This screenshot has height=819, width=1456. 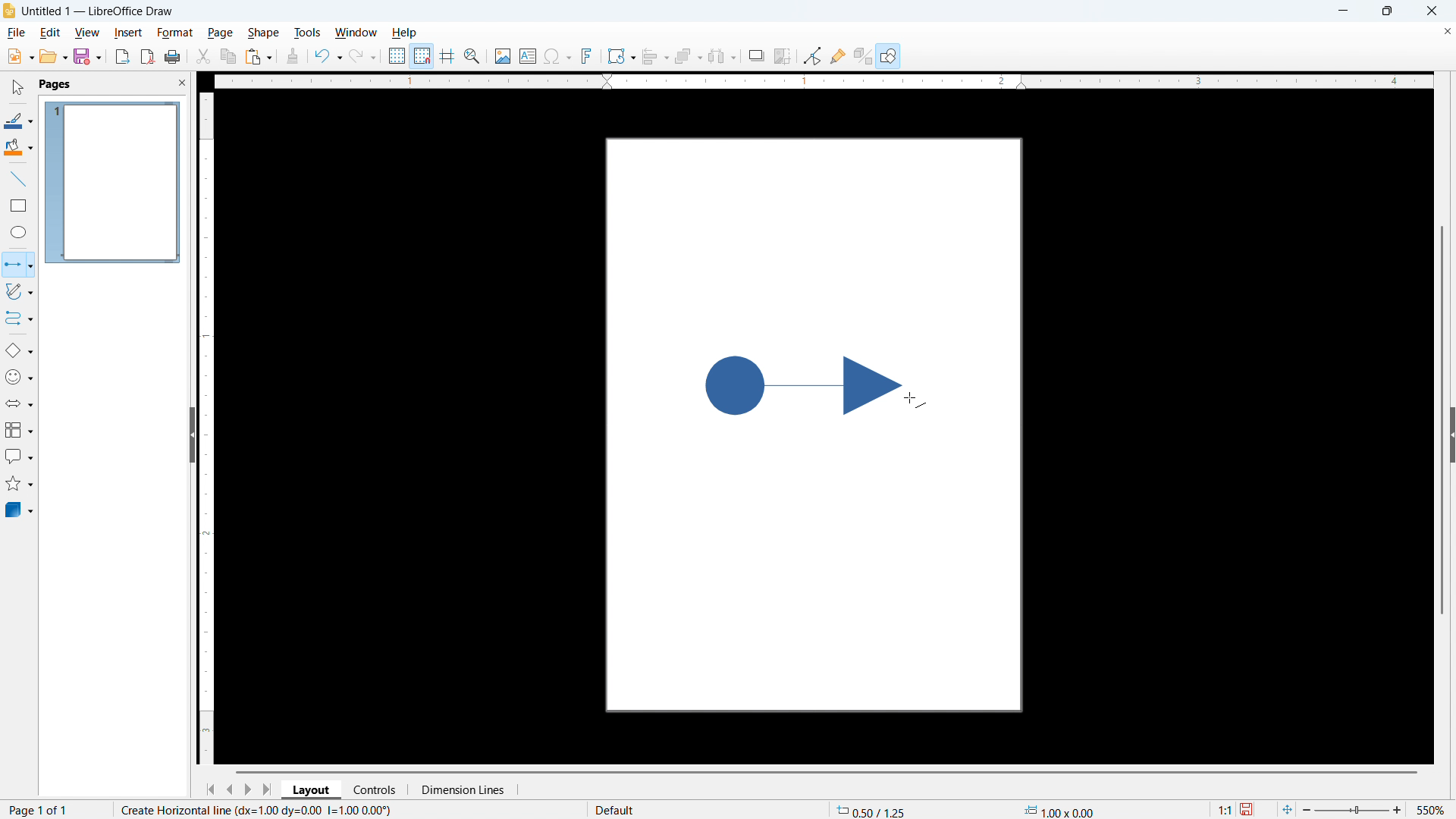 I want to click on Controls , so click(x=376, y=789).